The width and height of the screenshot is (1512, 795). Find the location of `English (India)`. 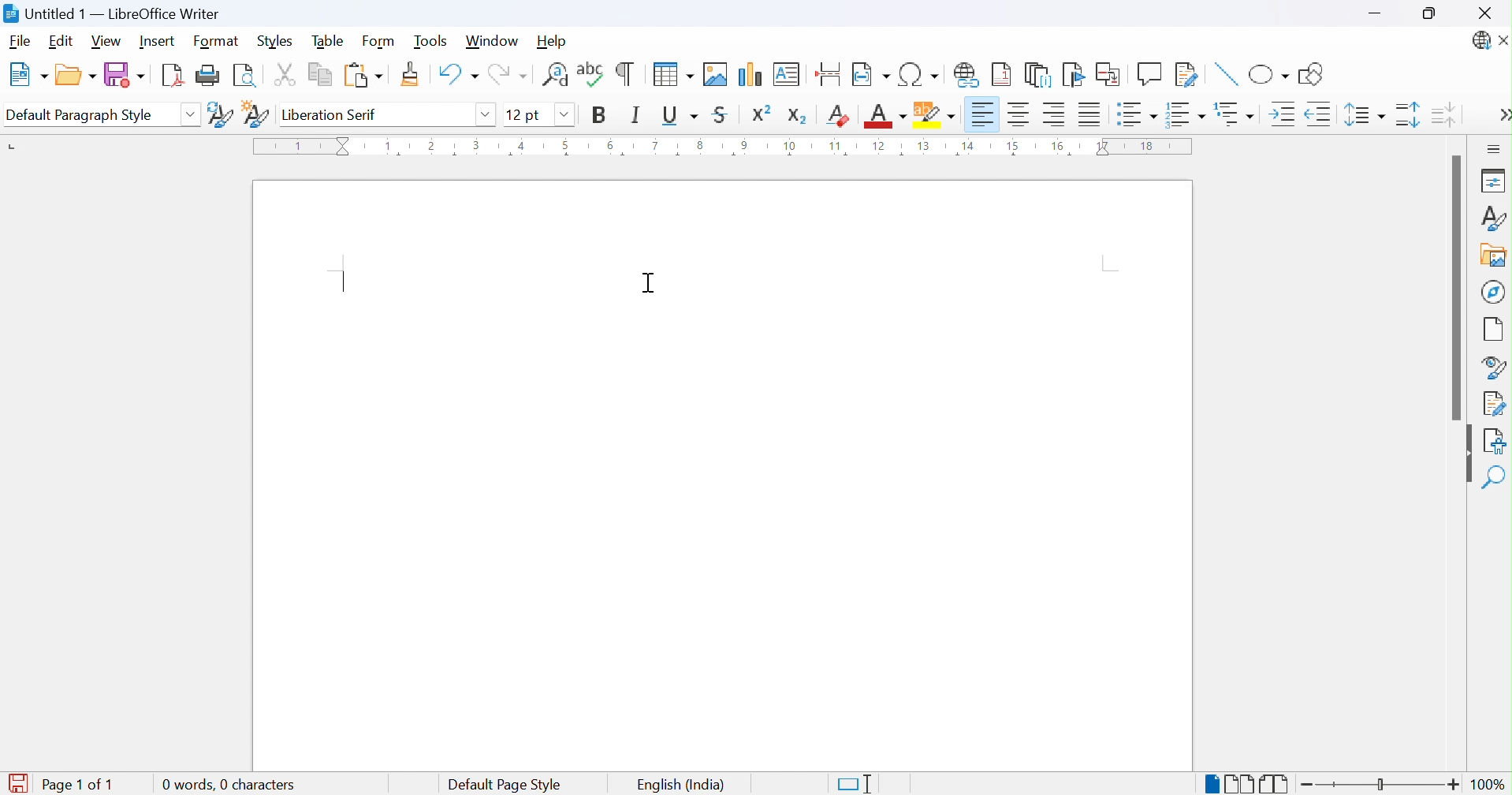

English (India) is located at coordinates (683, 784).